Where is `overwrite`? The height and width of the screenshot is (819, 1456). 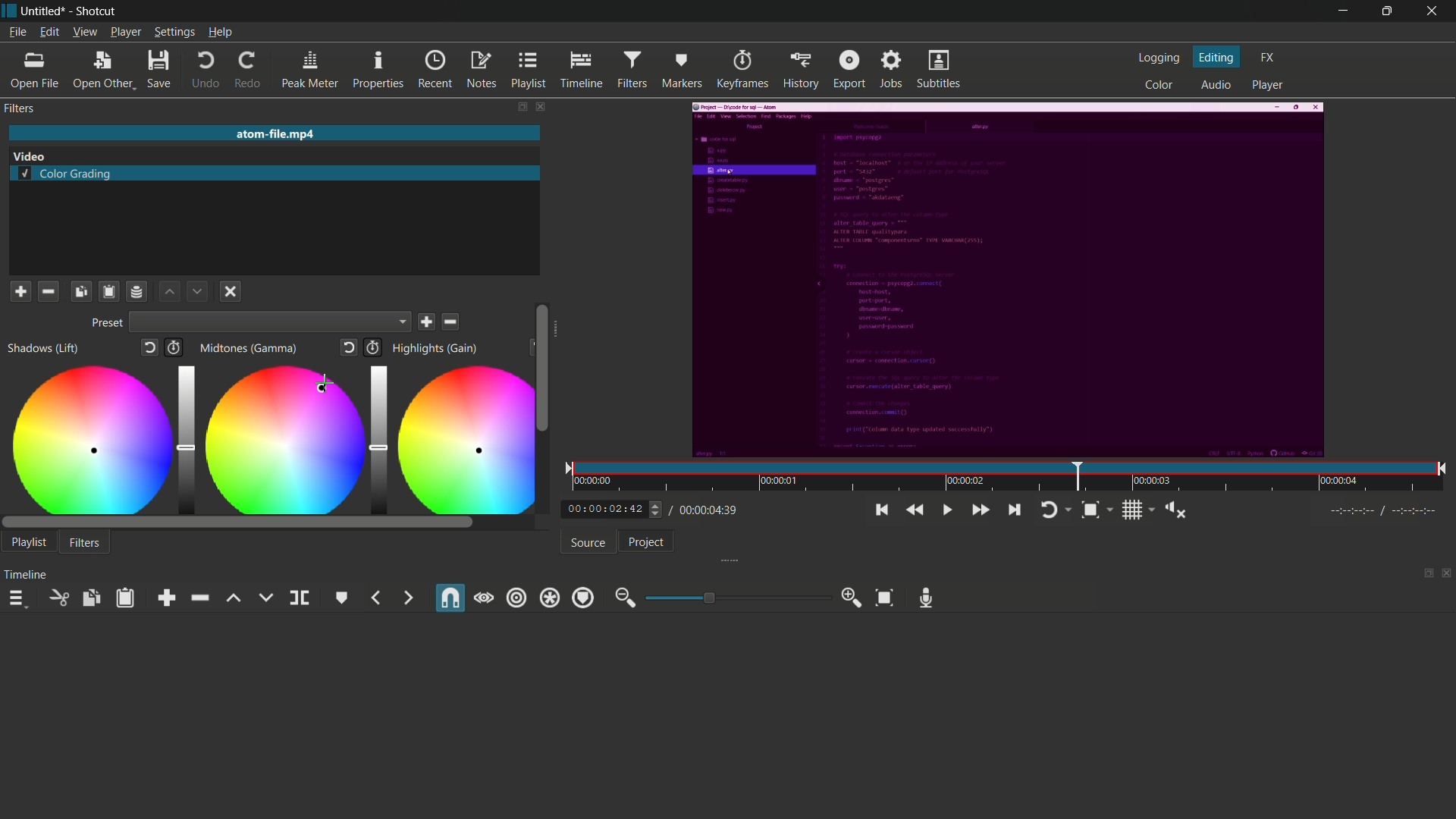 overwrite is located at coordinates (265, 598).